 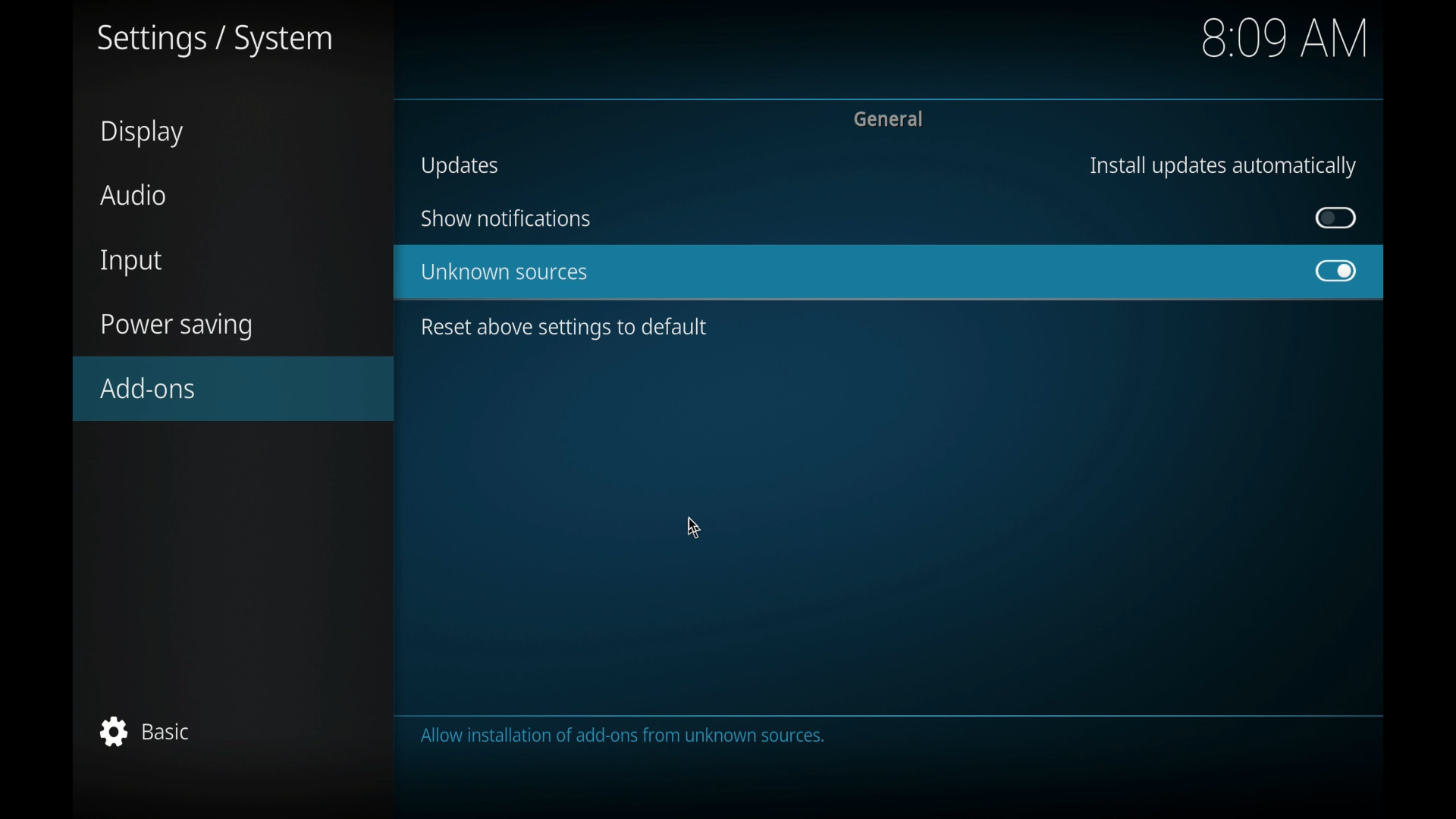 I want to click on this category contains settings for the add-on system, so click(x=627, y=737).